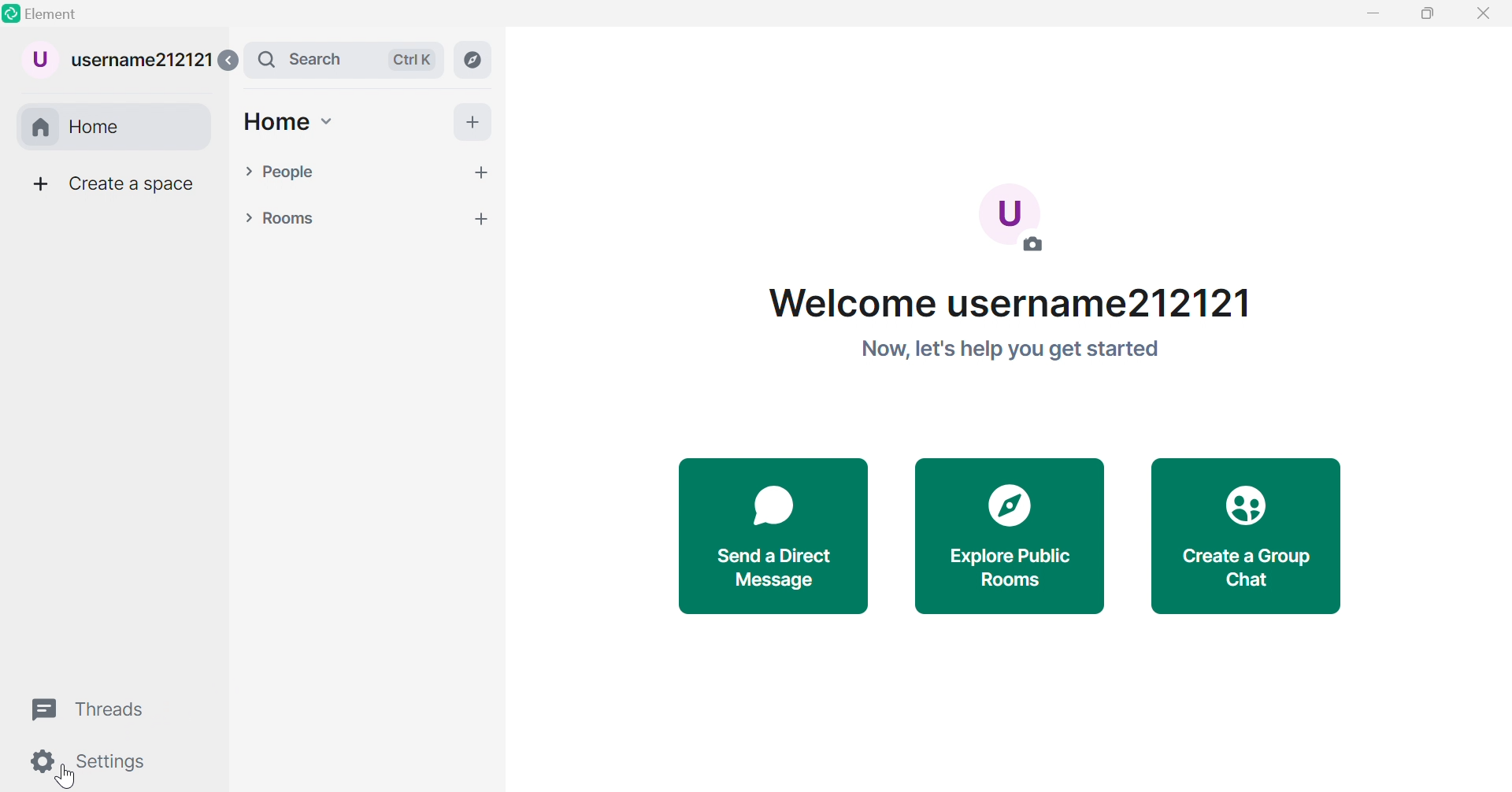  I want to click on Icon, so click(773, 509).